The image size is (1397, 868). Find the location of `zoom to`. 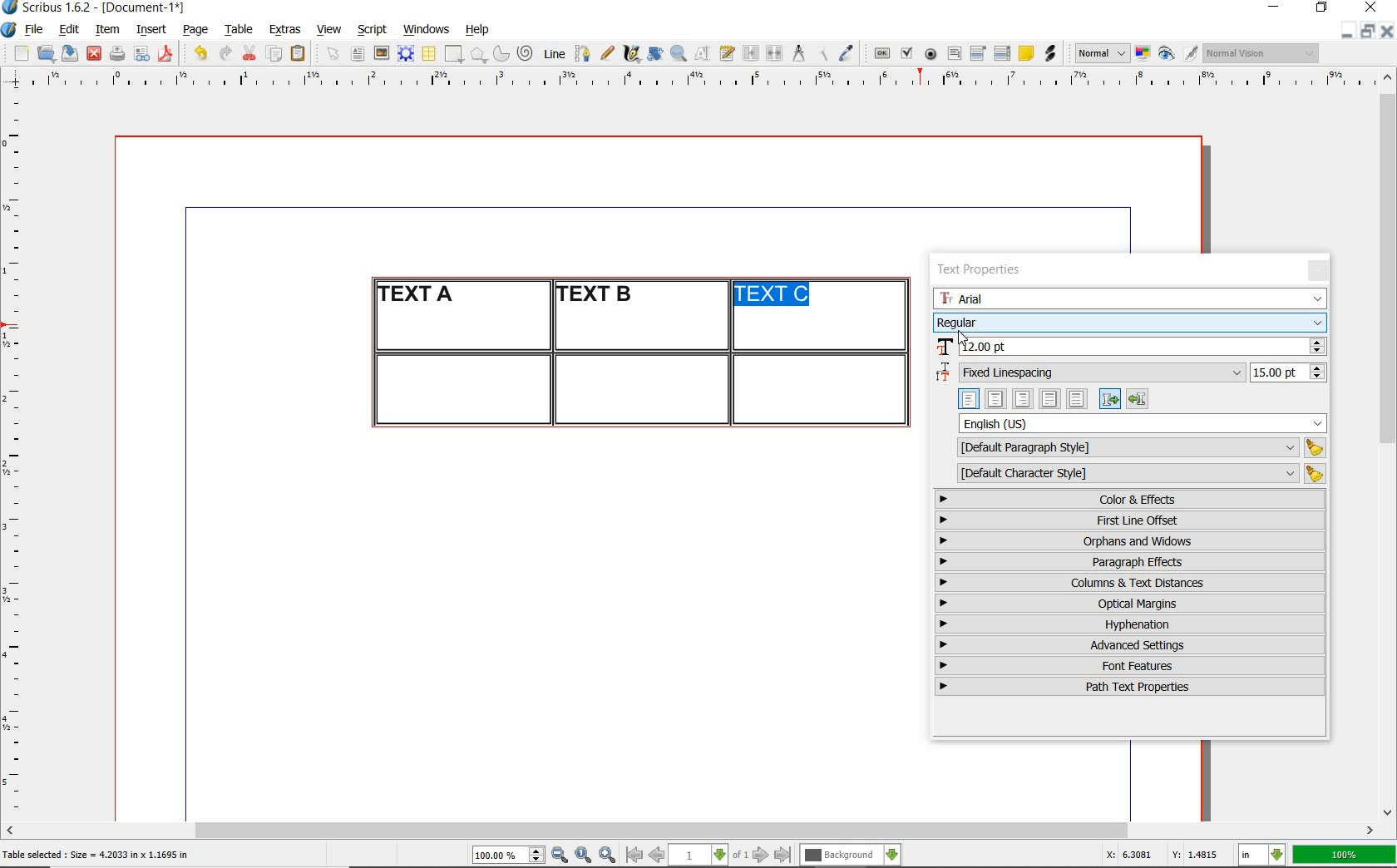

zoom to is located at coordinates (584, 856).